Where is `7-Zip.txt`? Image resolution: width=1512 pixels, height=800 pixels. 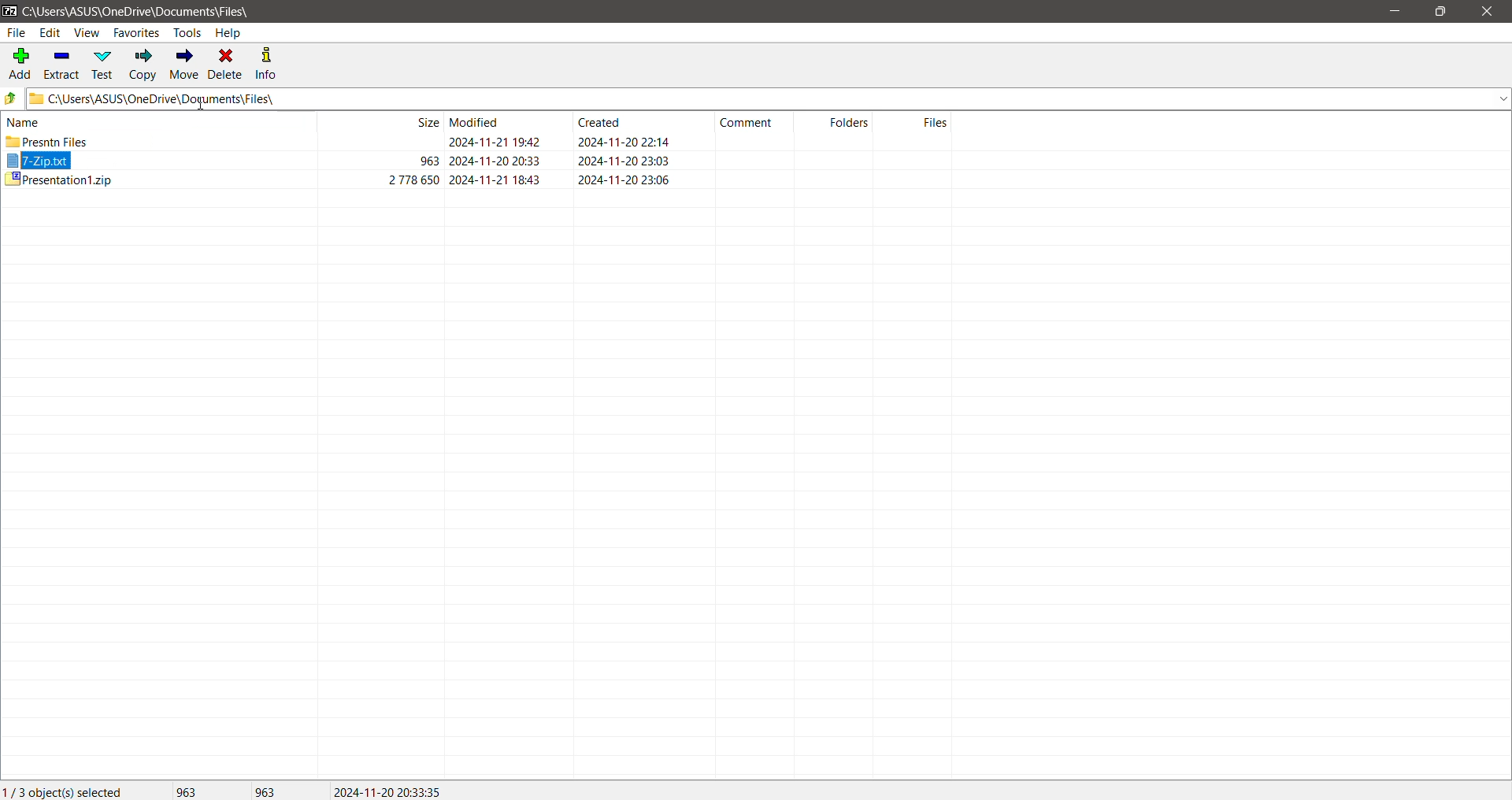
7-Zip.txt is located at coordinates (37, 159).